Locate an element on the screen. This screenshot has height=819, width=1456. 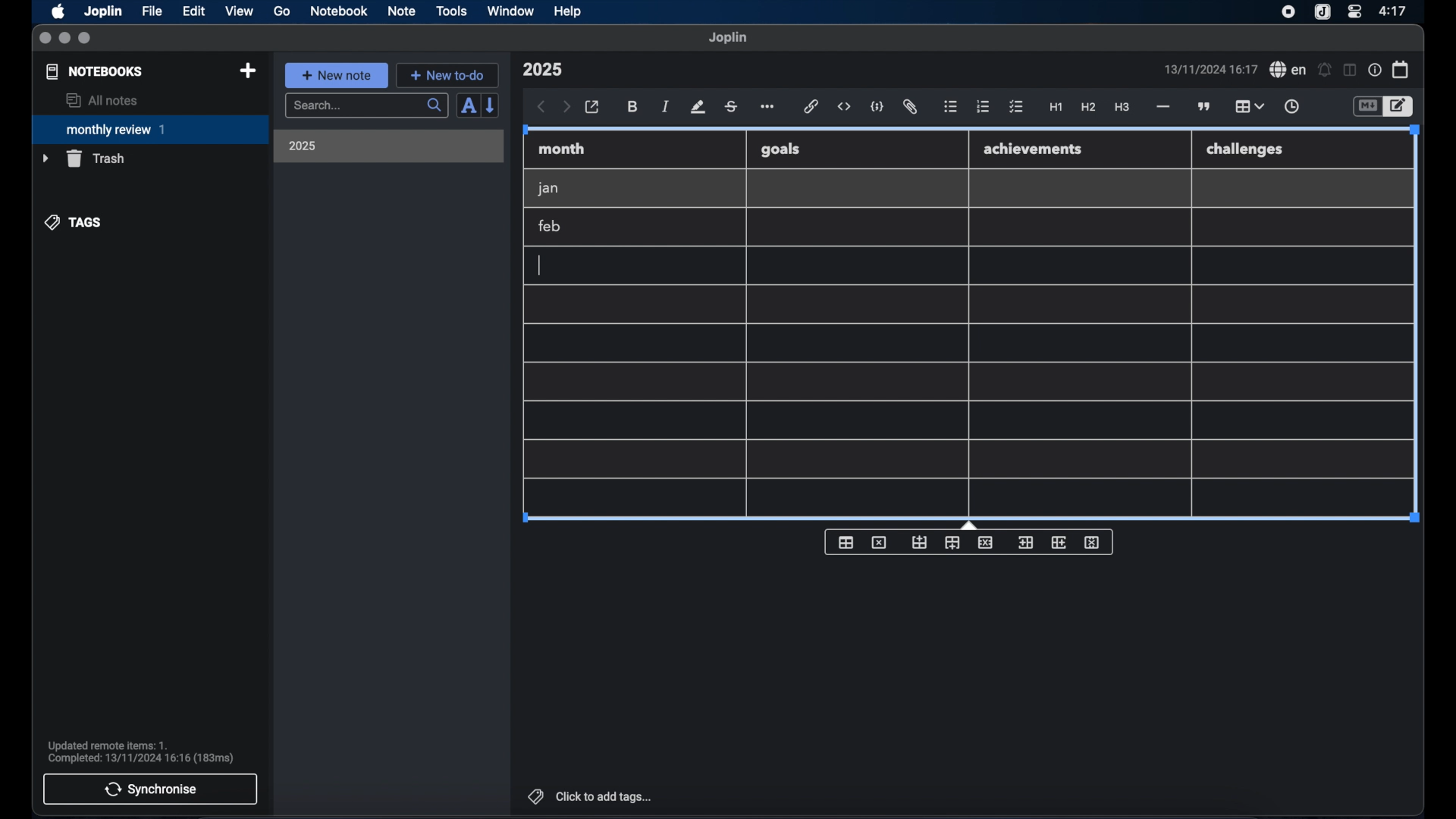
sort order field is located at coordinates (468, 106).